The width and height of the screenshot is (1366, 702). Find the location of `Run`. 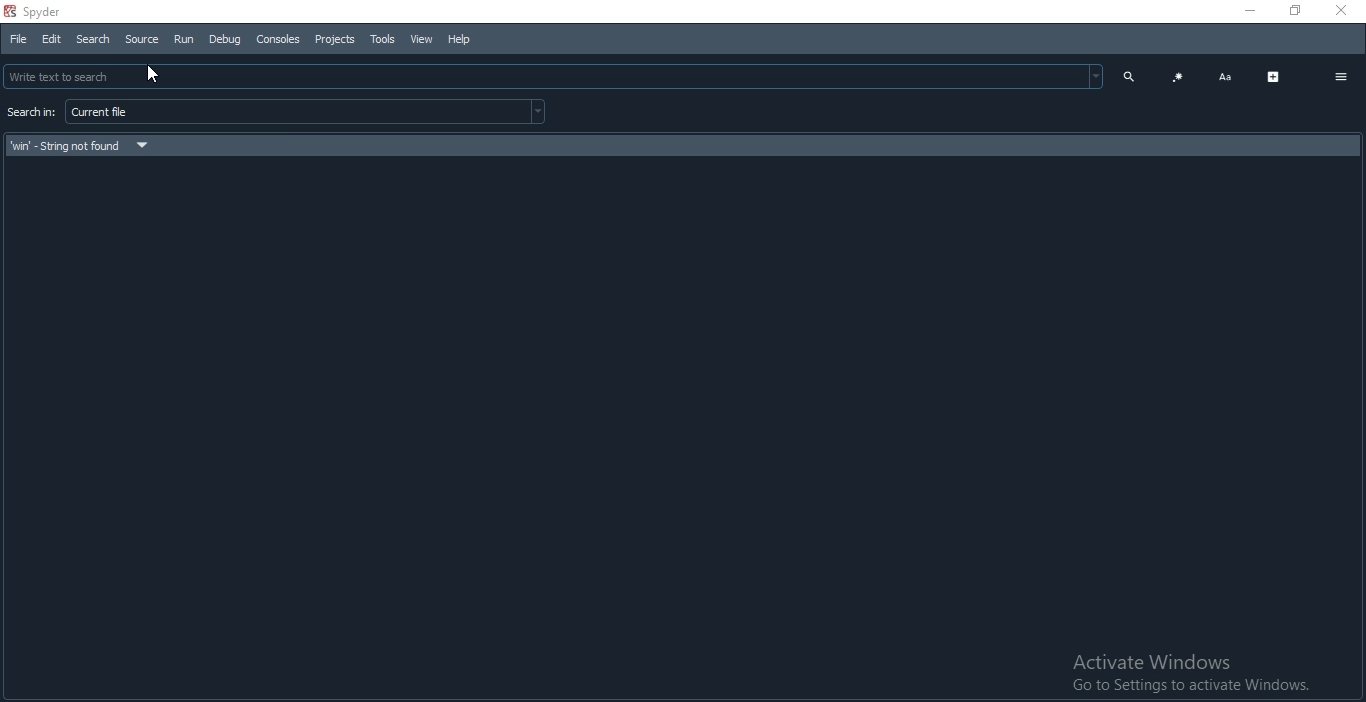

Run is located at coordinates (182, 38).